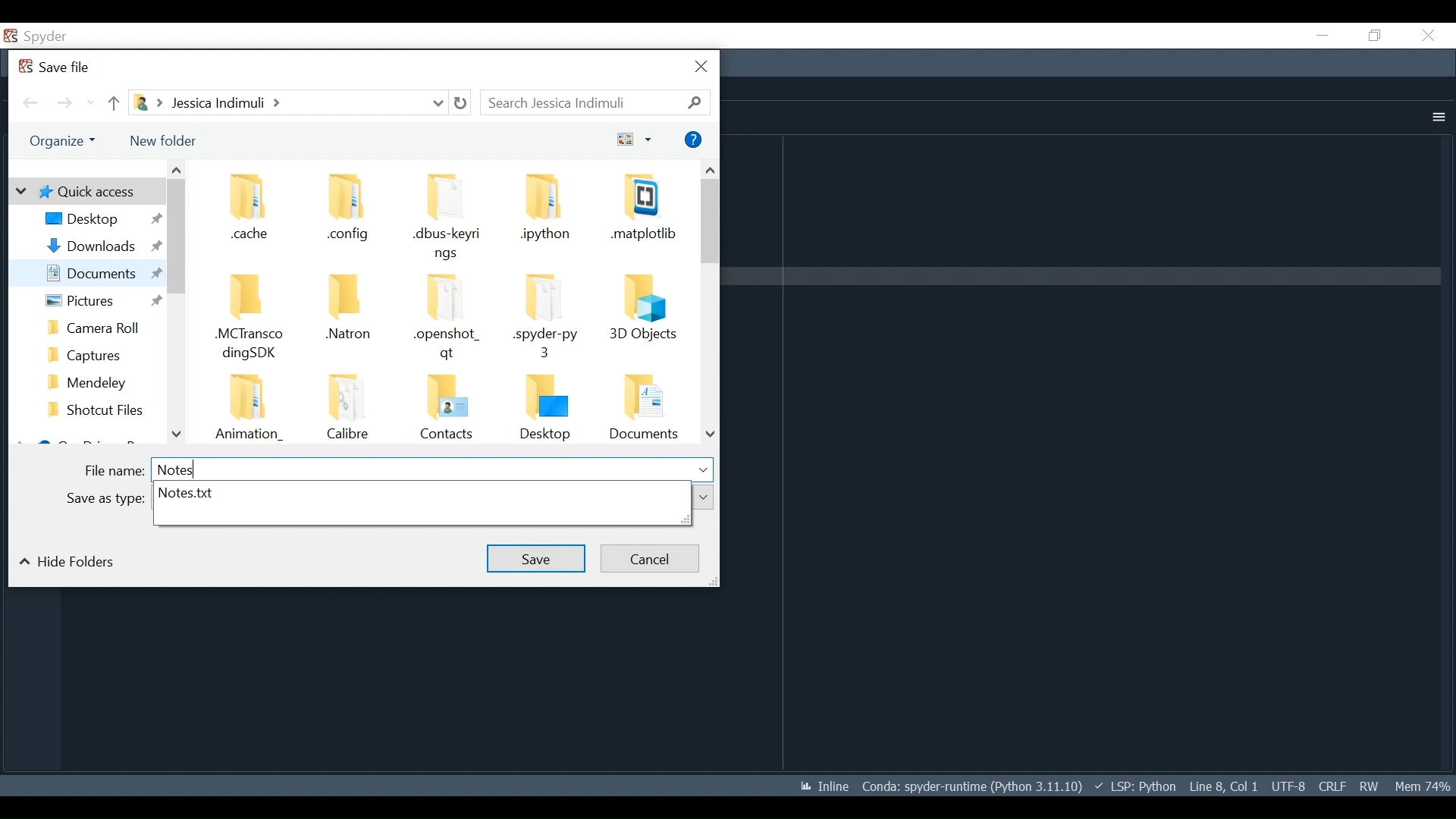  What do you see at coordinates (61, 141) in the screenshot?
I see `Organize` at bounding box center [61, 141].